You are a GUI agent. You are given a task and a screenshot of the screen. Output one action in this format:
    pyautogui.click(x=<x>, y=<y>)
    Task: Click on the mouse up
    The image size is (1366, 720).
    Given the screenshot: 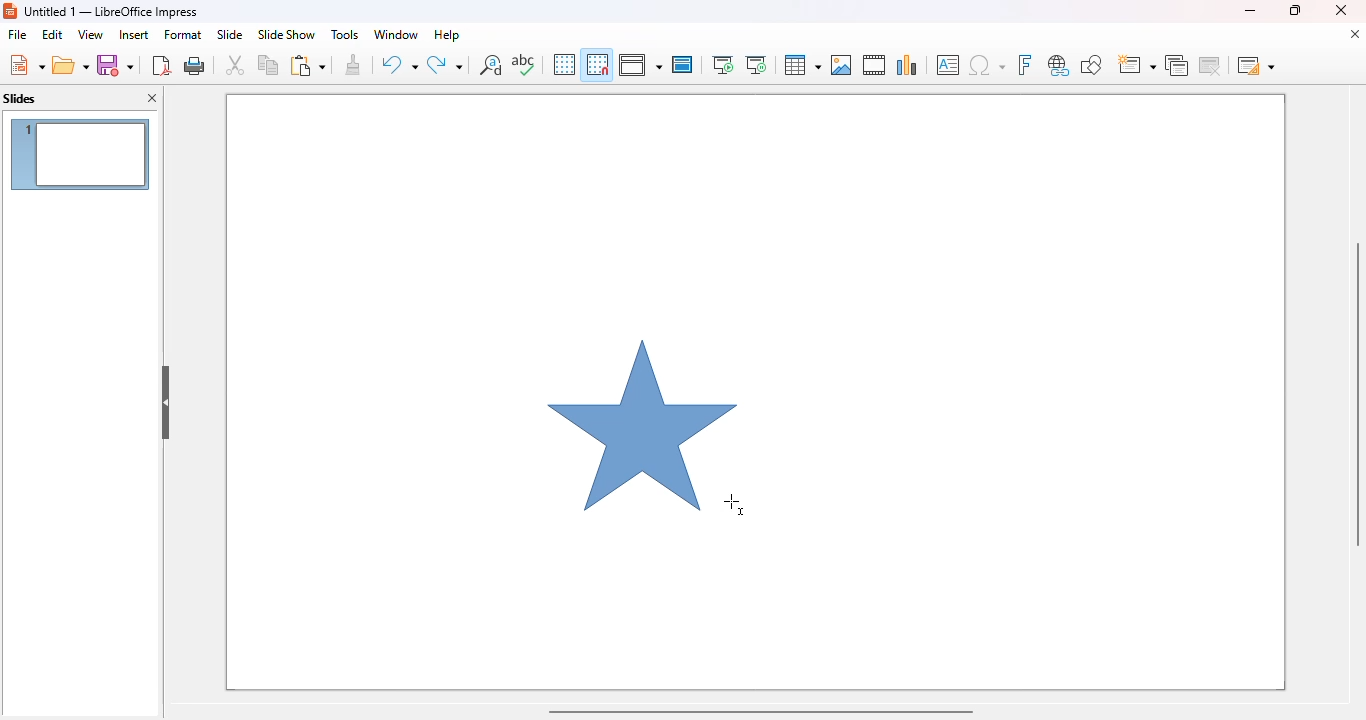 What is the action you would take?
    pyautogui.click(x=735, y=506)
    